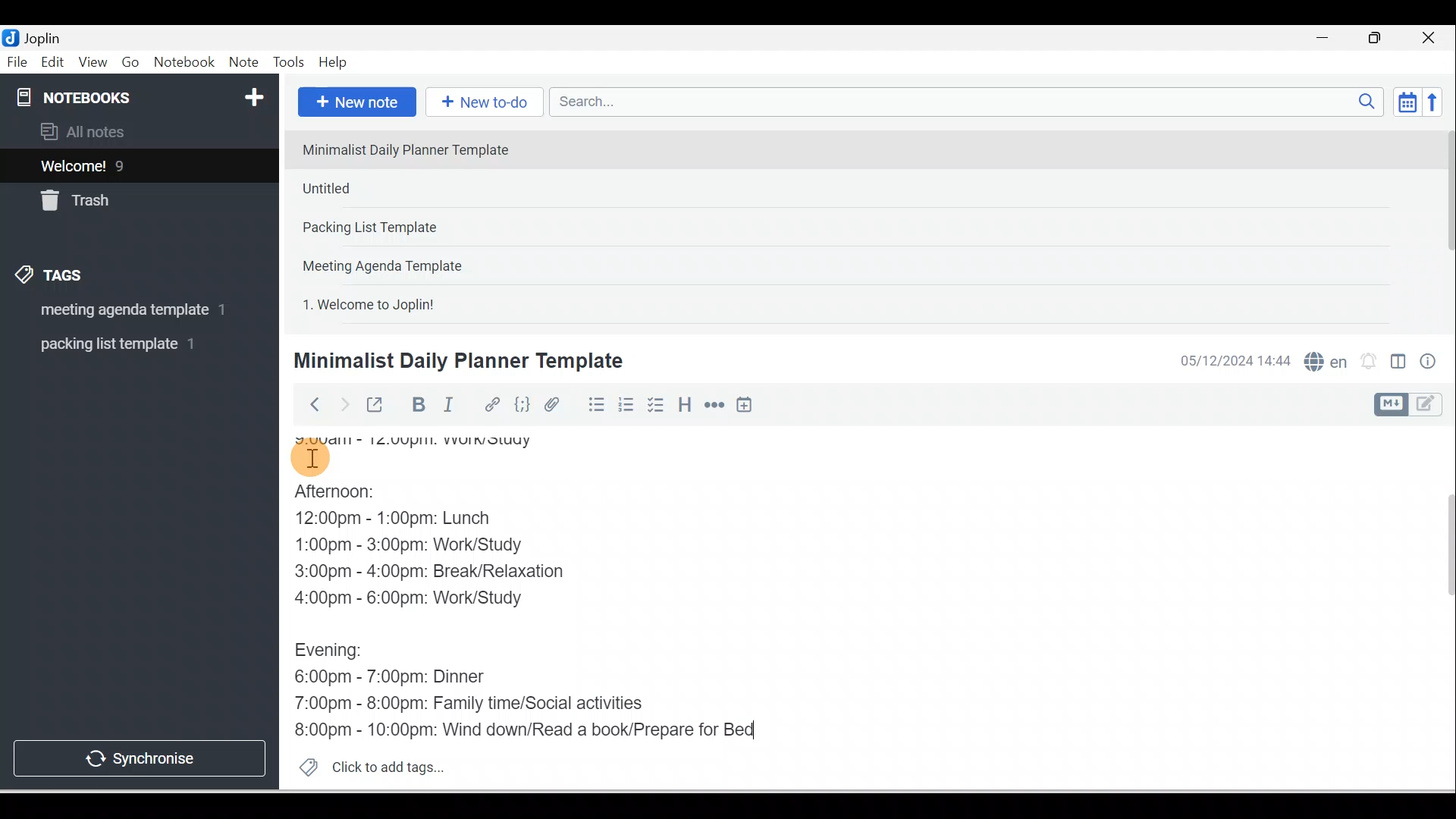  Describe the element at coordinates (93, 63) in the screenshot. I see `View` at that location.